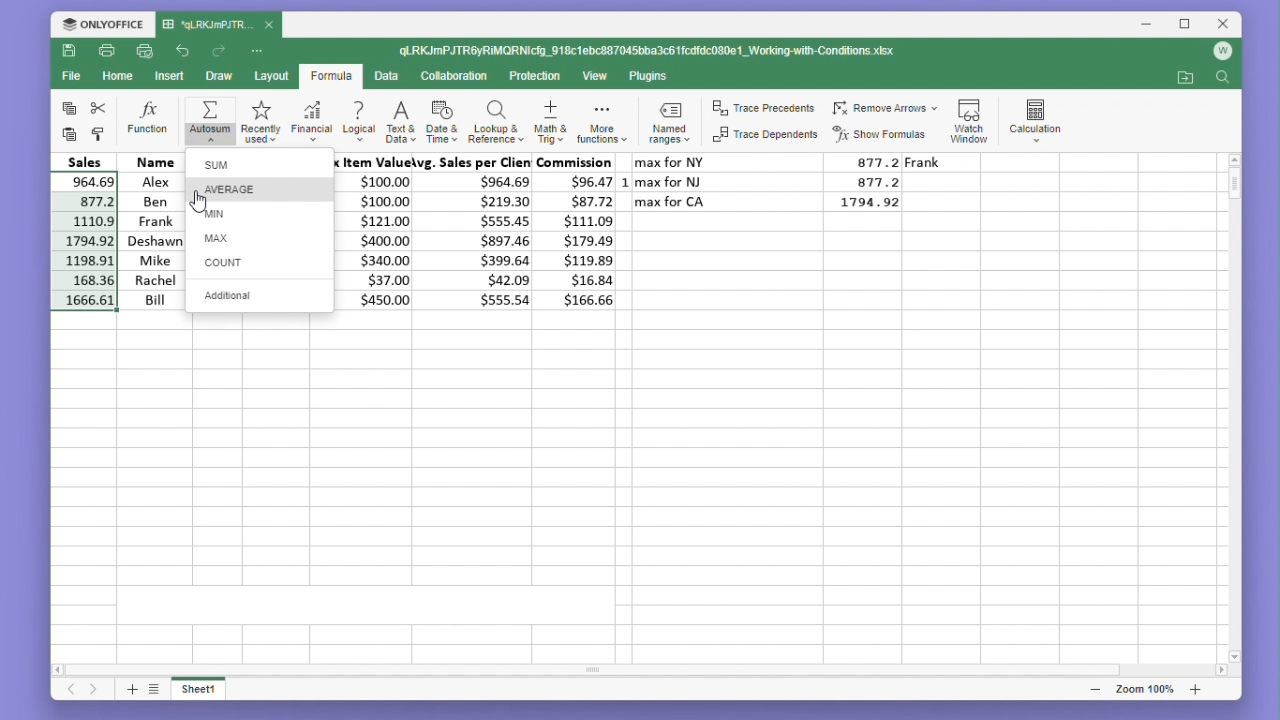  Describe the element at coordinates (766, 135) in the screenshot. I see `Trace dependents` at that location.